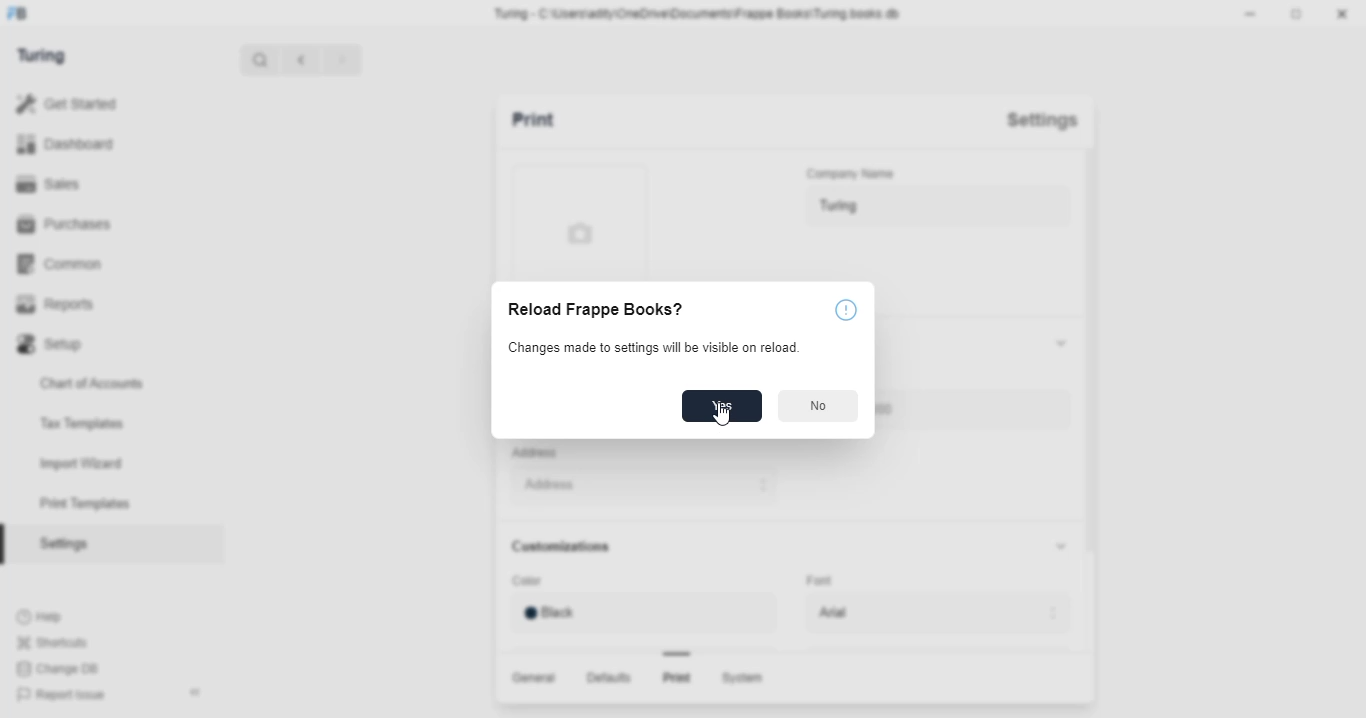 The height and width of the screenshot is (718, 1366). Describe the element at coordinates (110, 424) in the screenshot. I see `Tax Templates` at that location.